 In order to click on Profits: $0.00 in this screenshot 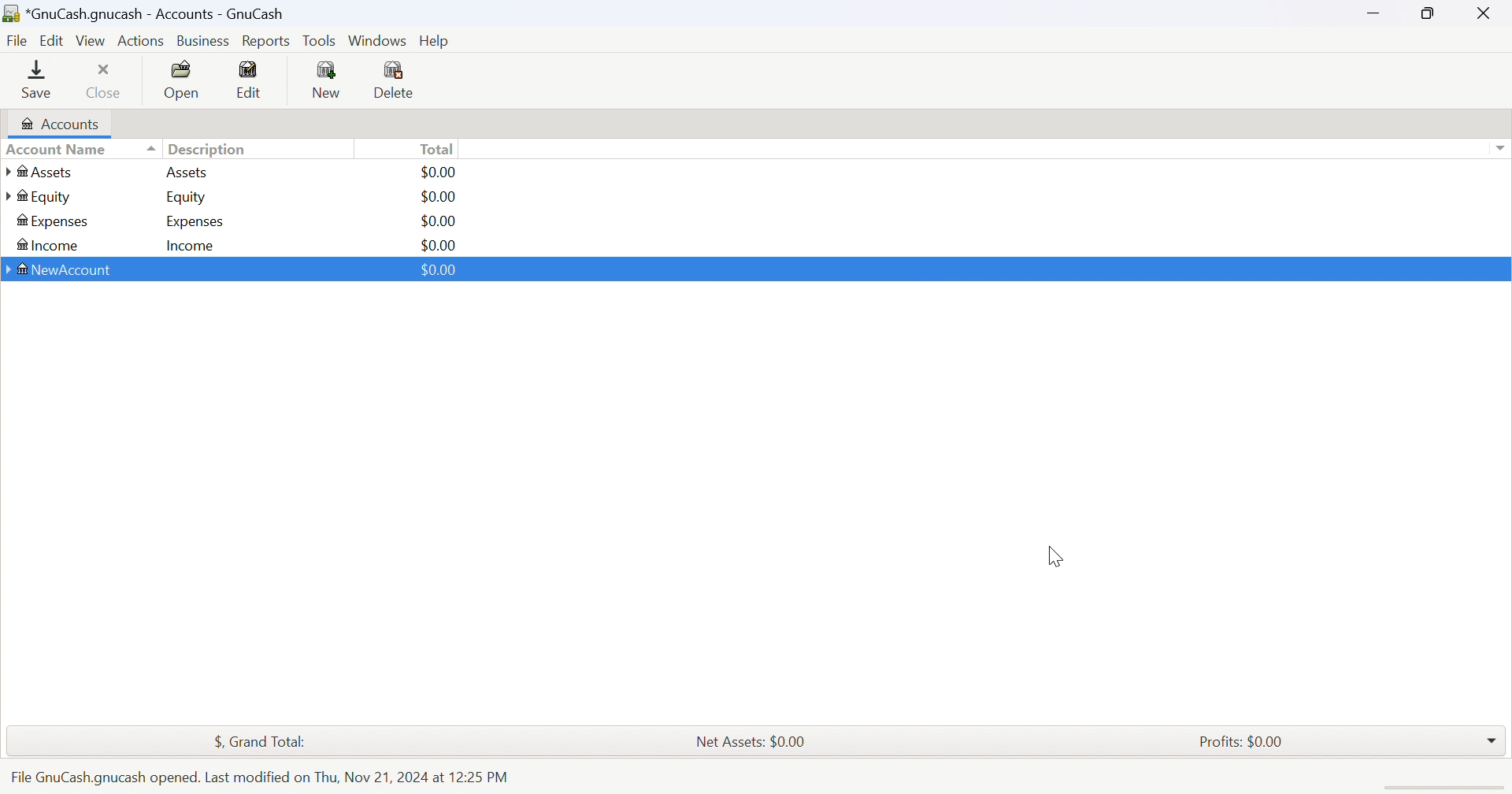, I will do `click(1244, 742)`.